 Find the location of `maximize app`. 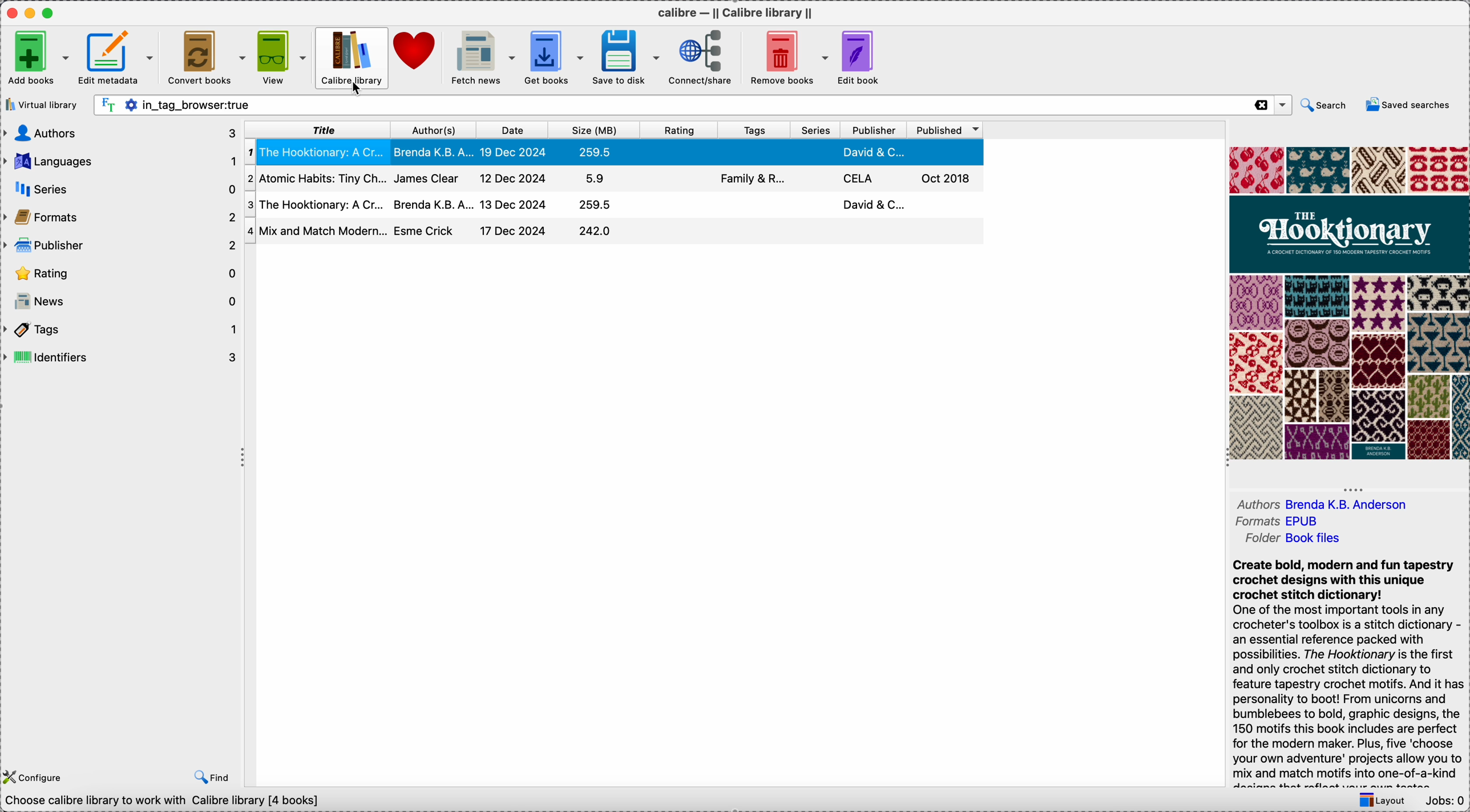

maximize app is located at coordinates (52, 10).